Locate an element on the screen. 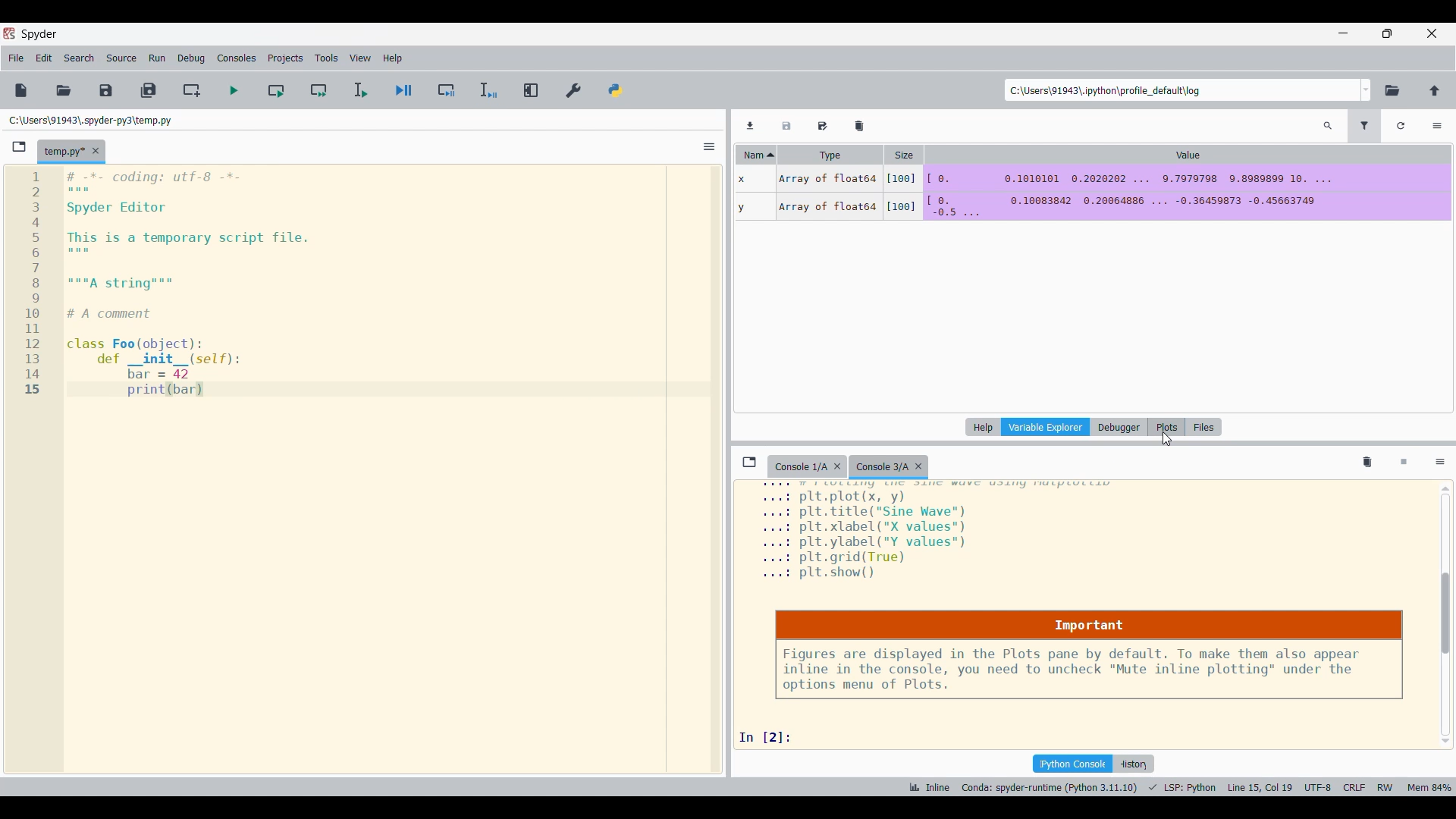 This screenshot has height=819, width=1456. Older tab is located at coordinates (807, 467).